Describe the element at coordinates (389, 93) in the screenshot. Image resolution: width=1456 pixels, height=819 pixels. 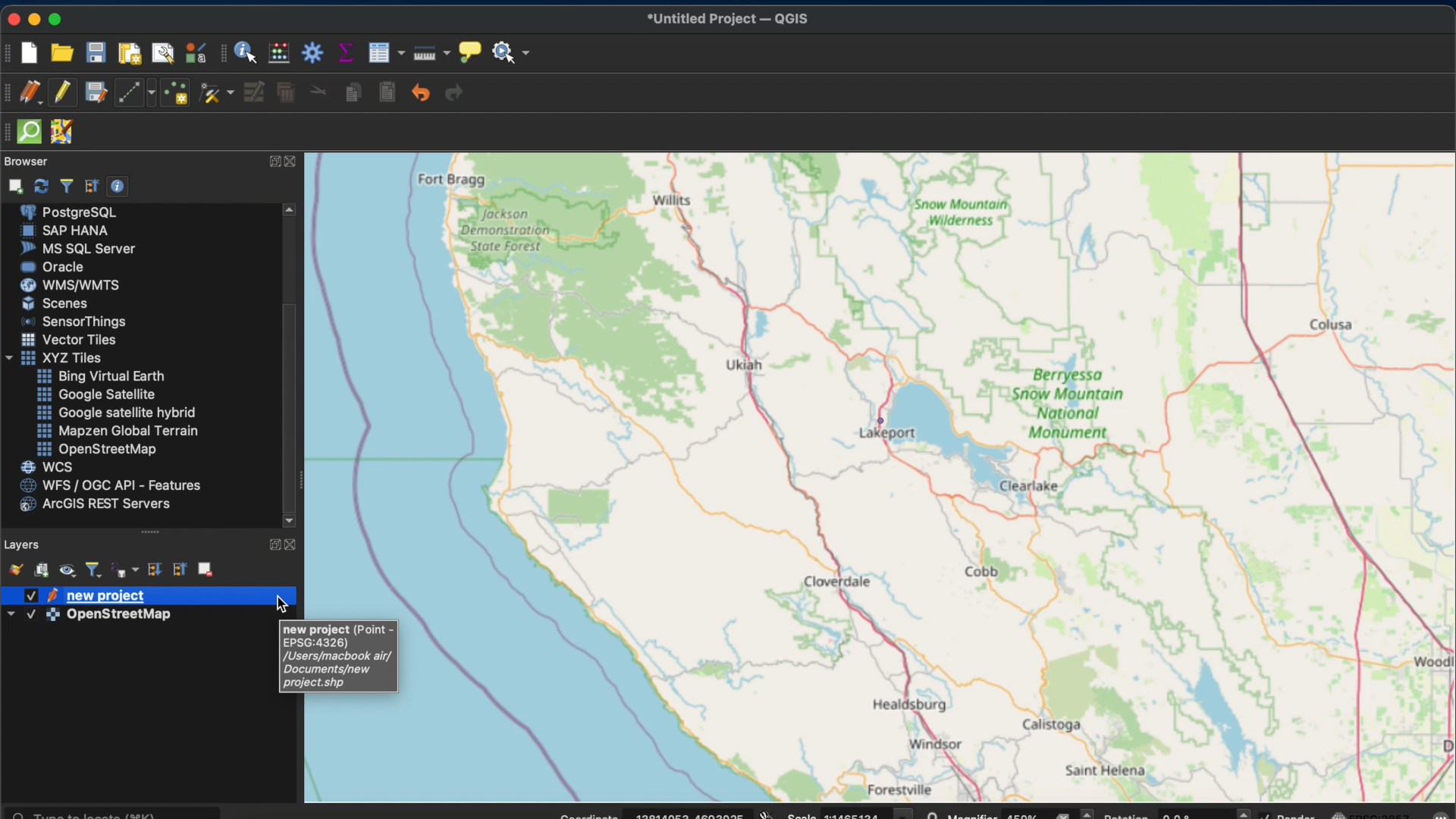
I see `paste features` at that location.